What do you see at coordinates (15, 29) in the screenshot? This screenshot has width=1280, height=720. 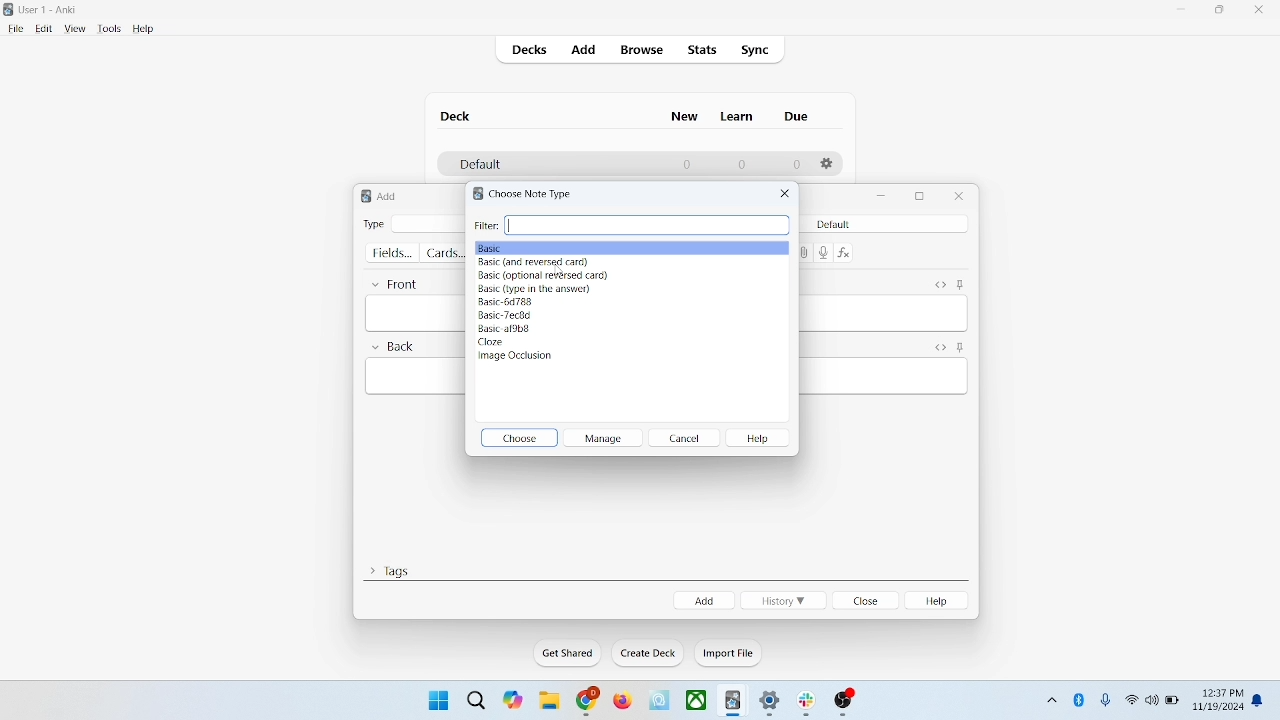 I see `file` at bounding box center [15, 29].